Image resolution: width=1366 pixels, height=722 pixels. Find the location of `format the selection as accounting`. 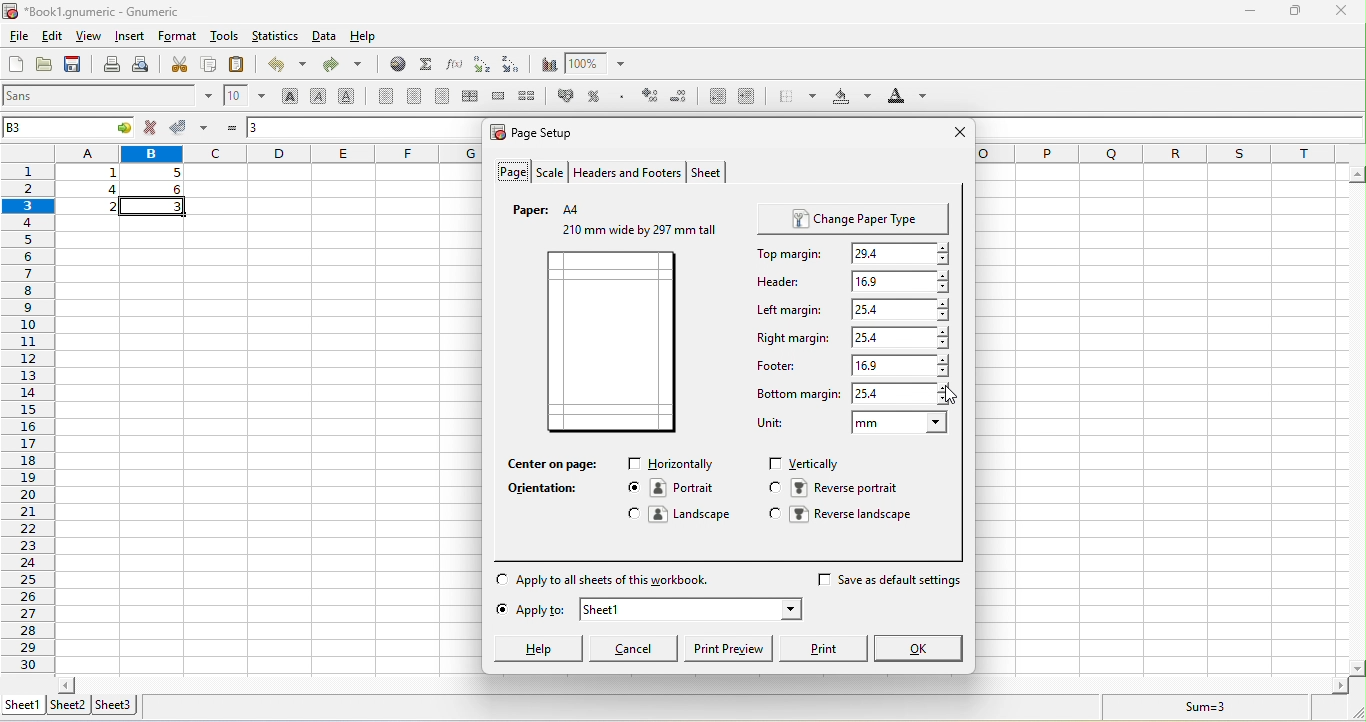

format the selection as accounting is located at coordinates (567, 96).